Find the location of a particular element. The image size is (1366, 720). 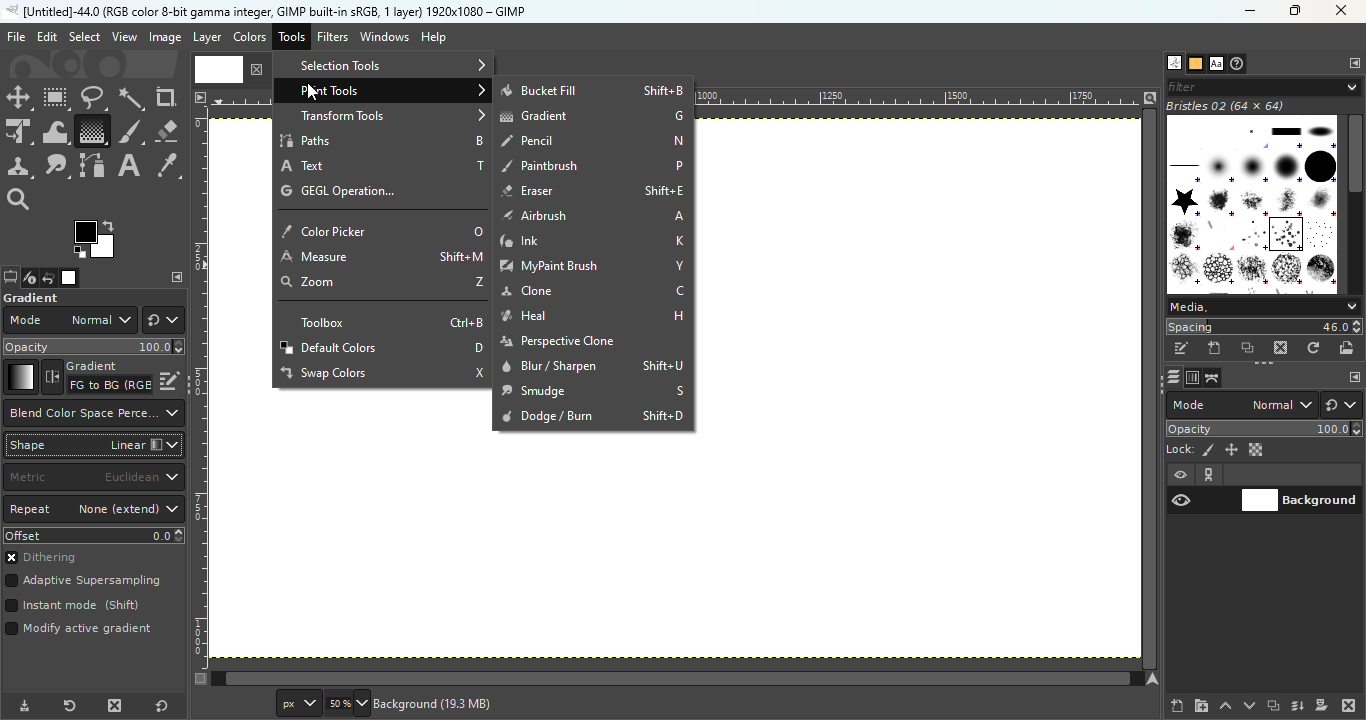

Current file is located at coordinates (231, 68).